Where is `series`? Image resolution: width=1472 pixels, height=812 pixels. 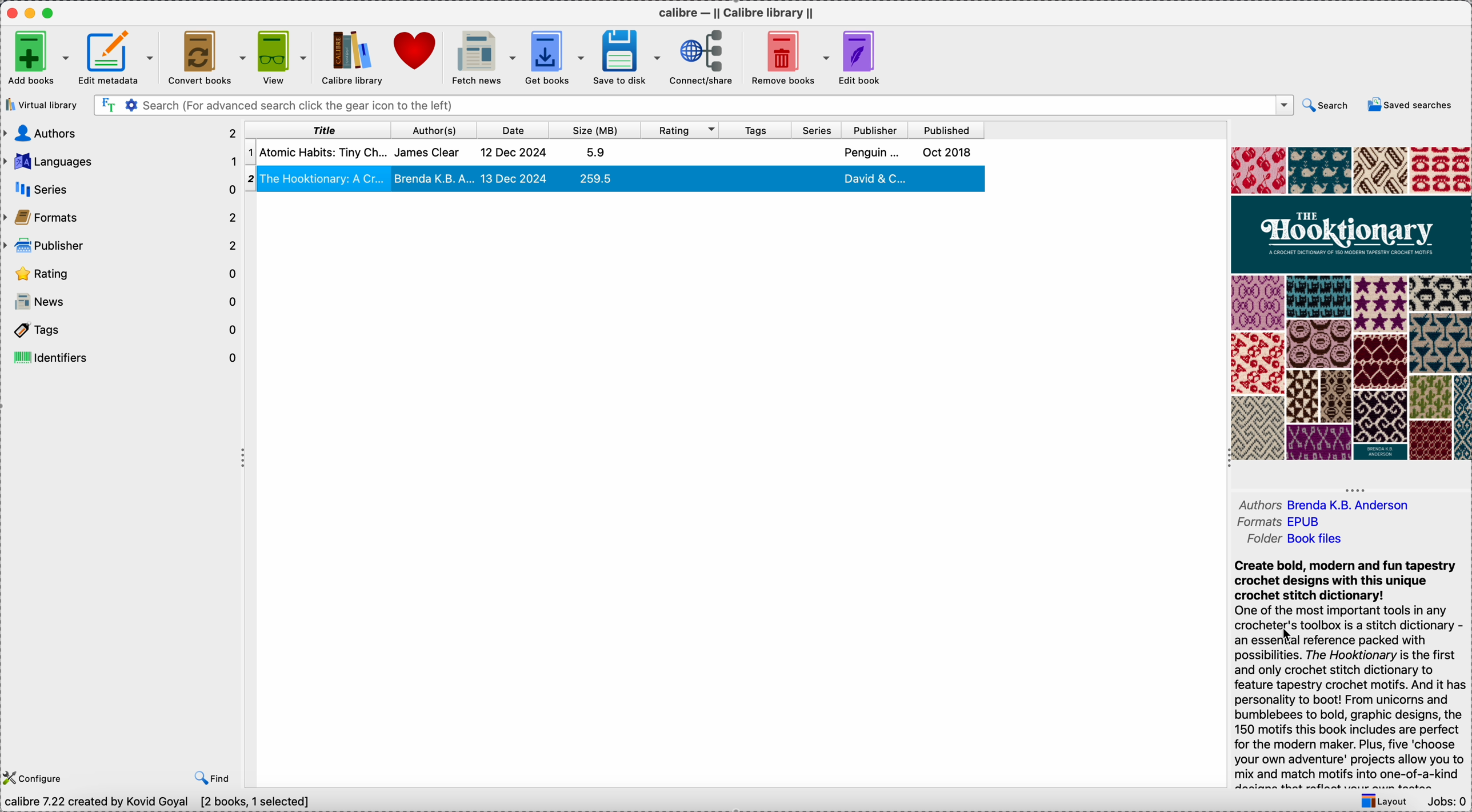 series is located at coordinates (119, 189).